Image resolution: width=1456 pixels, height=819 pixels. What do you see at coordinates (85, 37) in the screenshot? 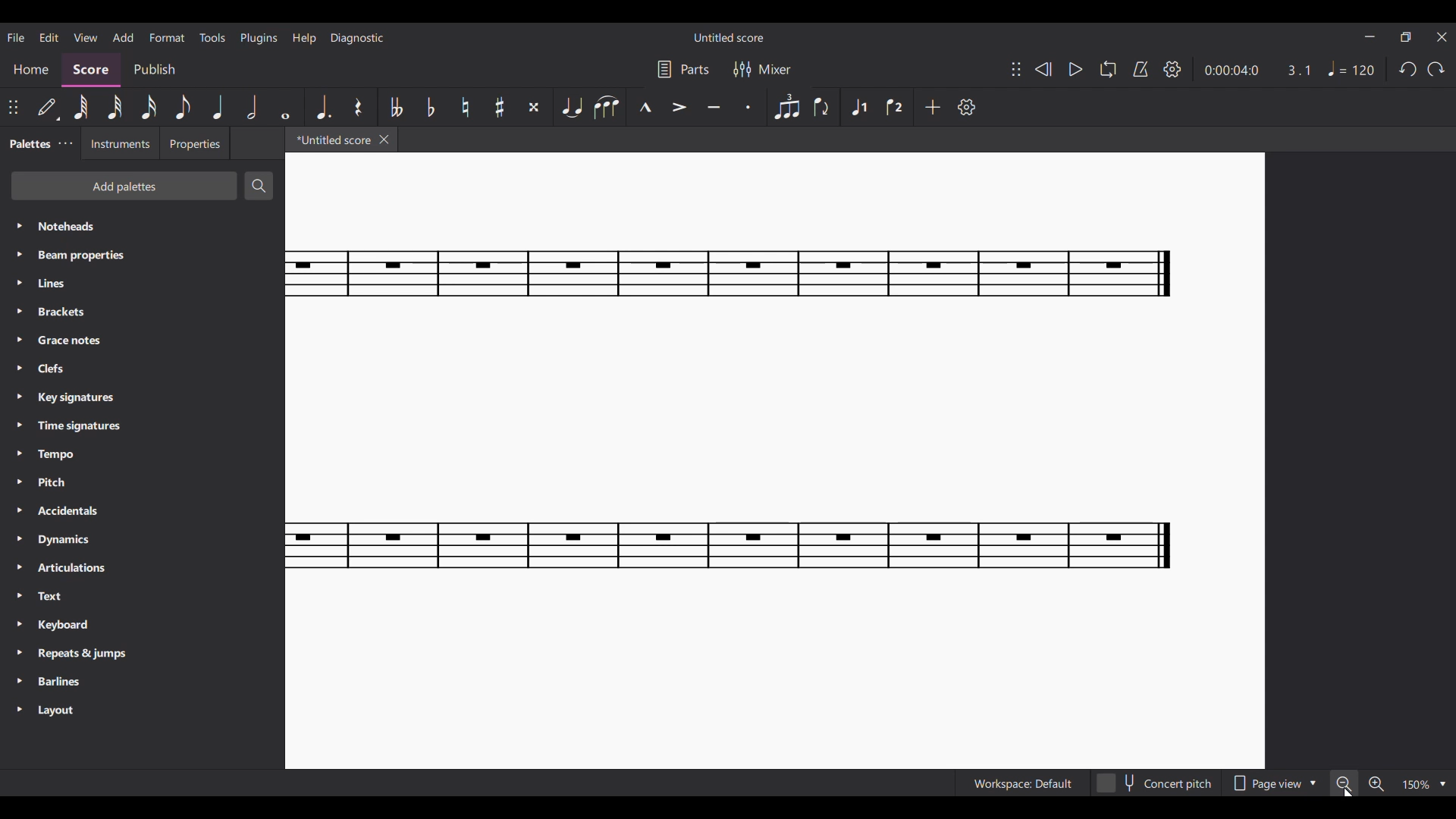
I see `View menu` at bounding box center [85, 37].